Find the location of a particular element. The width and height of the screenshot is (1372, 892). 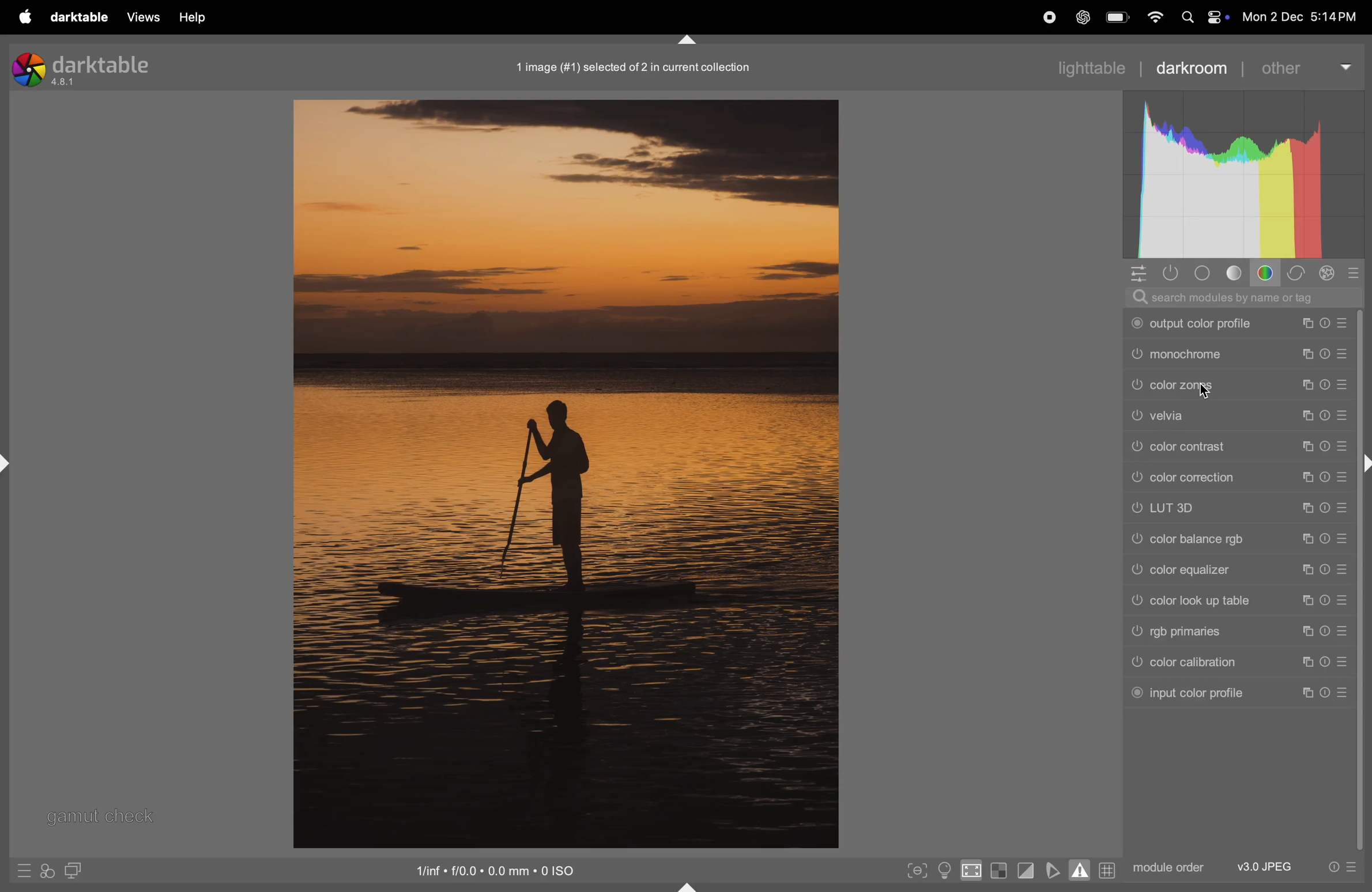

color equalizer is located at coordinates (1203, 572).